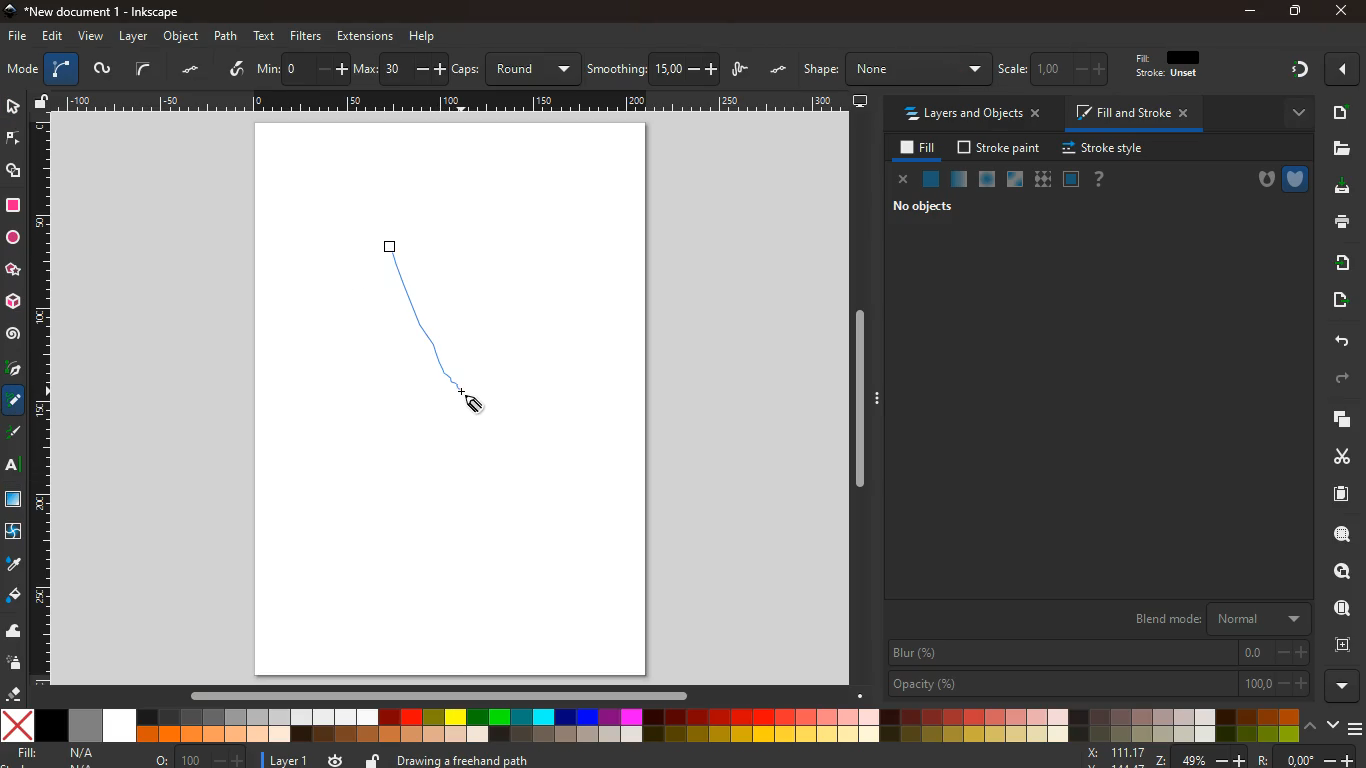 Image resolution: width=1366 pixels, height=768 pixels. I want to click on Vertical scroll bar, so click(855, 399).